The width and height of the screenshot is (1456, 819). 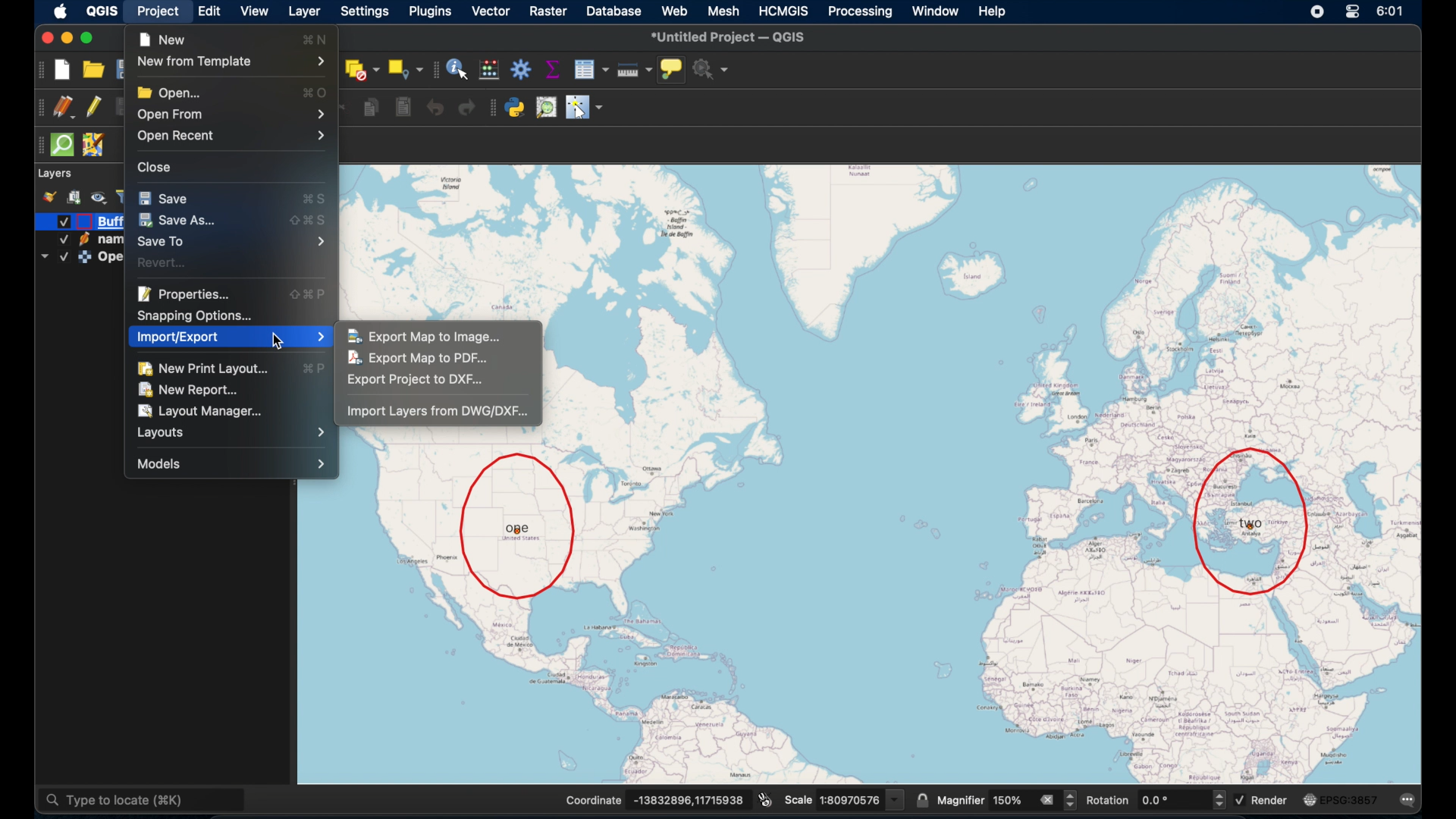 I want to click on new report, so click(x=190, y=389).